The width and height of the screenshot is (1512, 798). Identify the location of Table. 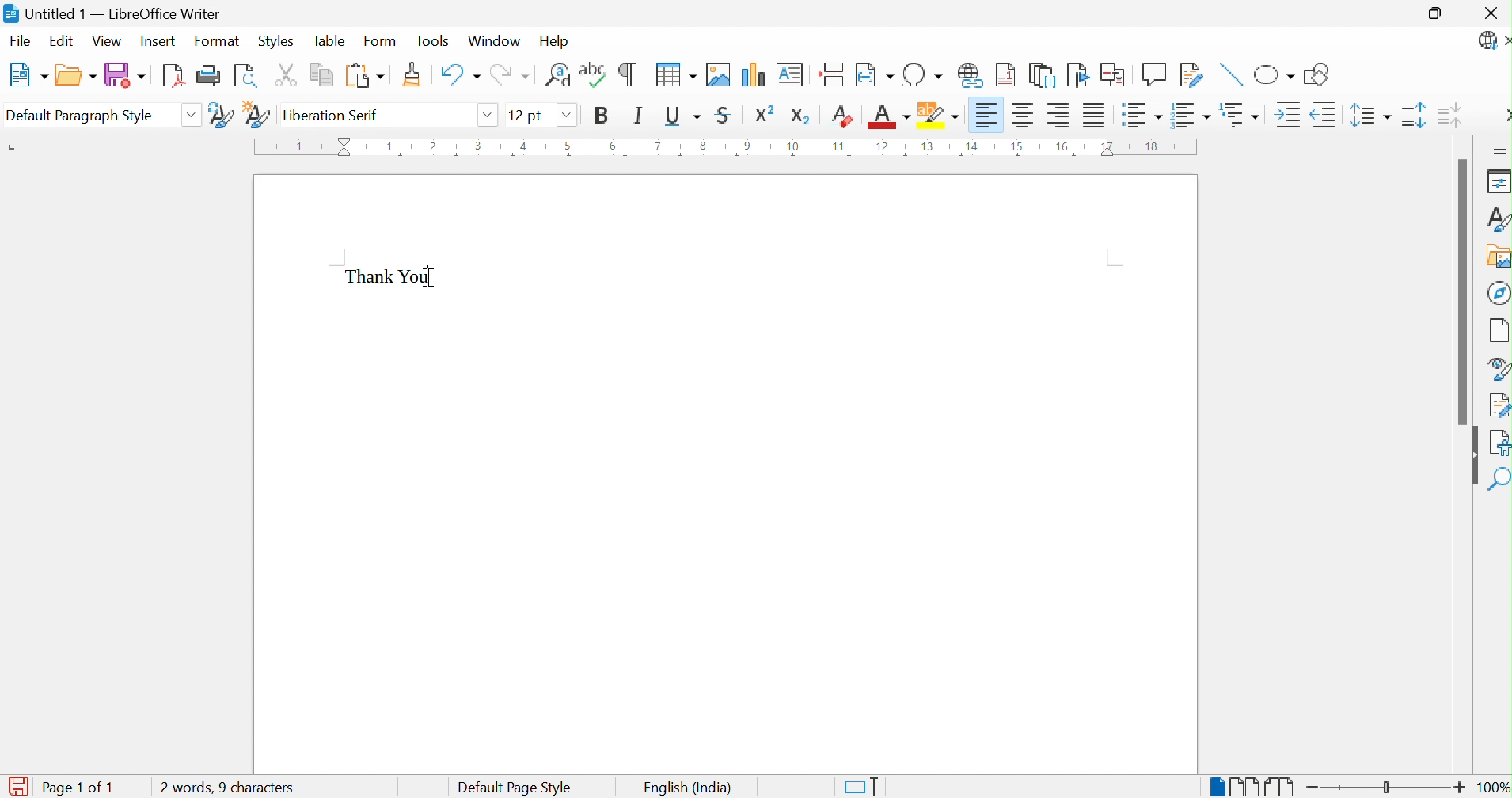
(332, 41).